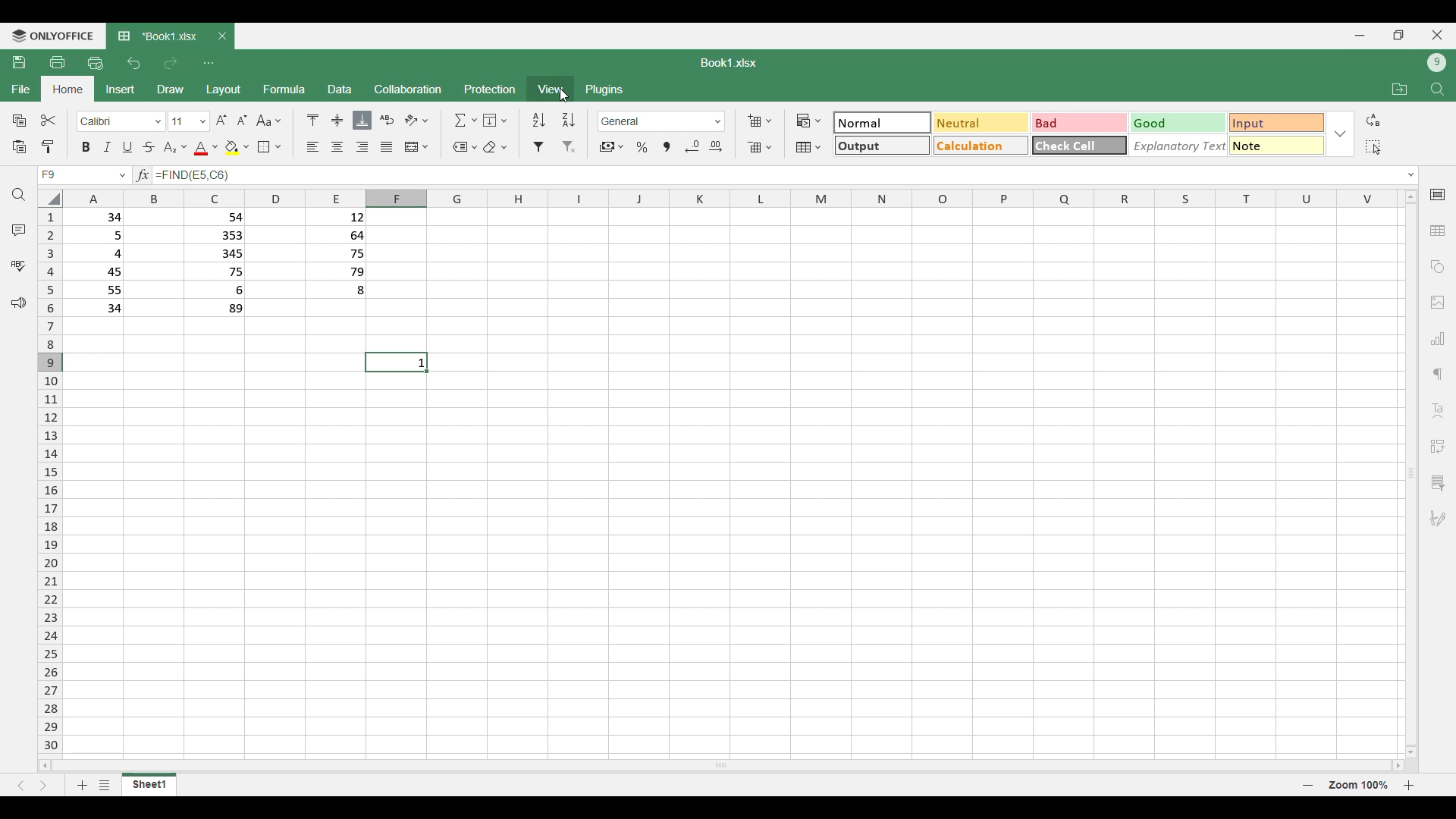 Image resolution: width=1456 pixels, height=819 pixels. Describe the element at coordinates (221, 121) in the screenshot. I see `Increase text size` at that location.